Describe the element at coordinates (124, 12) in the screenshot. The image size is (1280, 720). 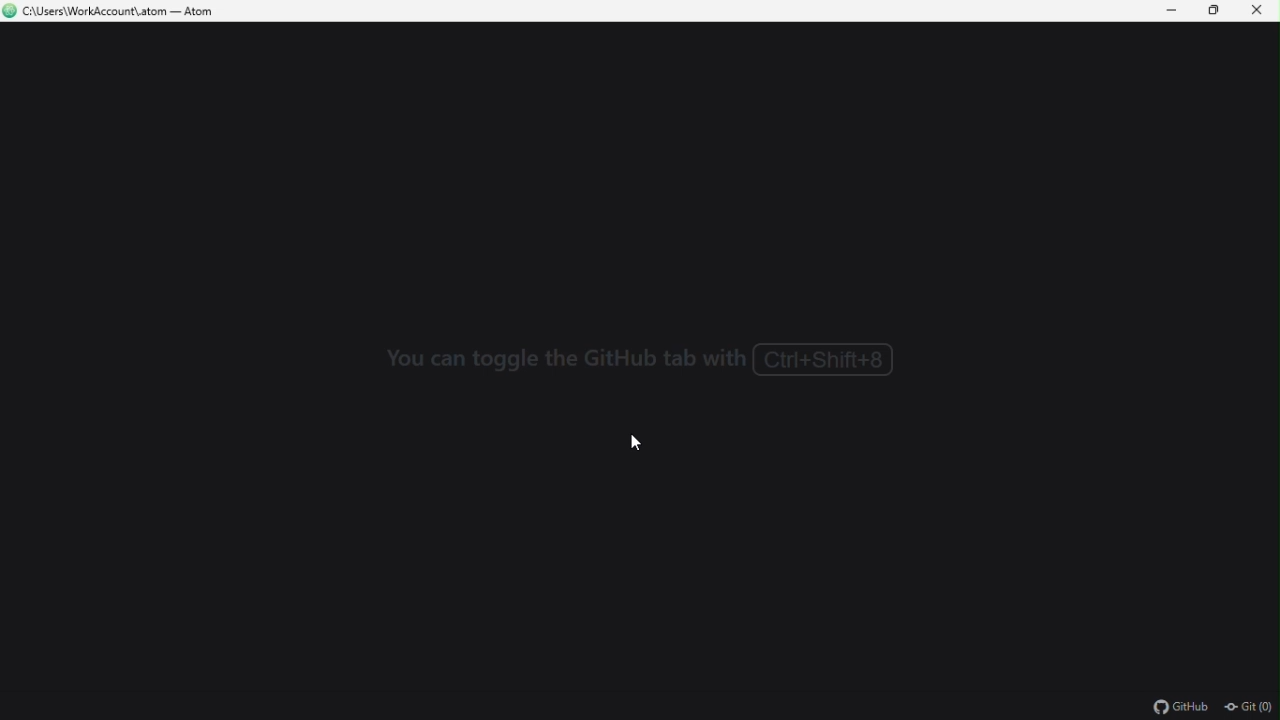
I see `C:\users\workAccount\.atom - Atom` at that location.